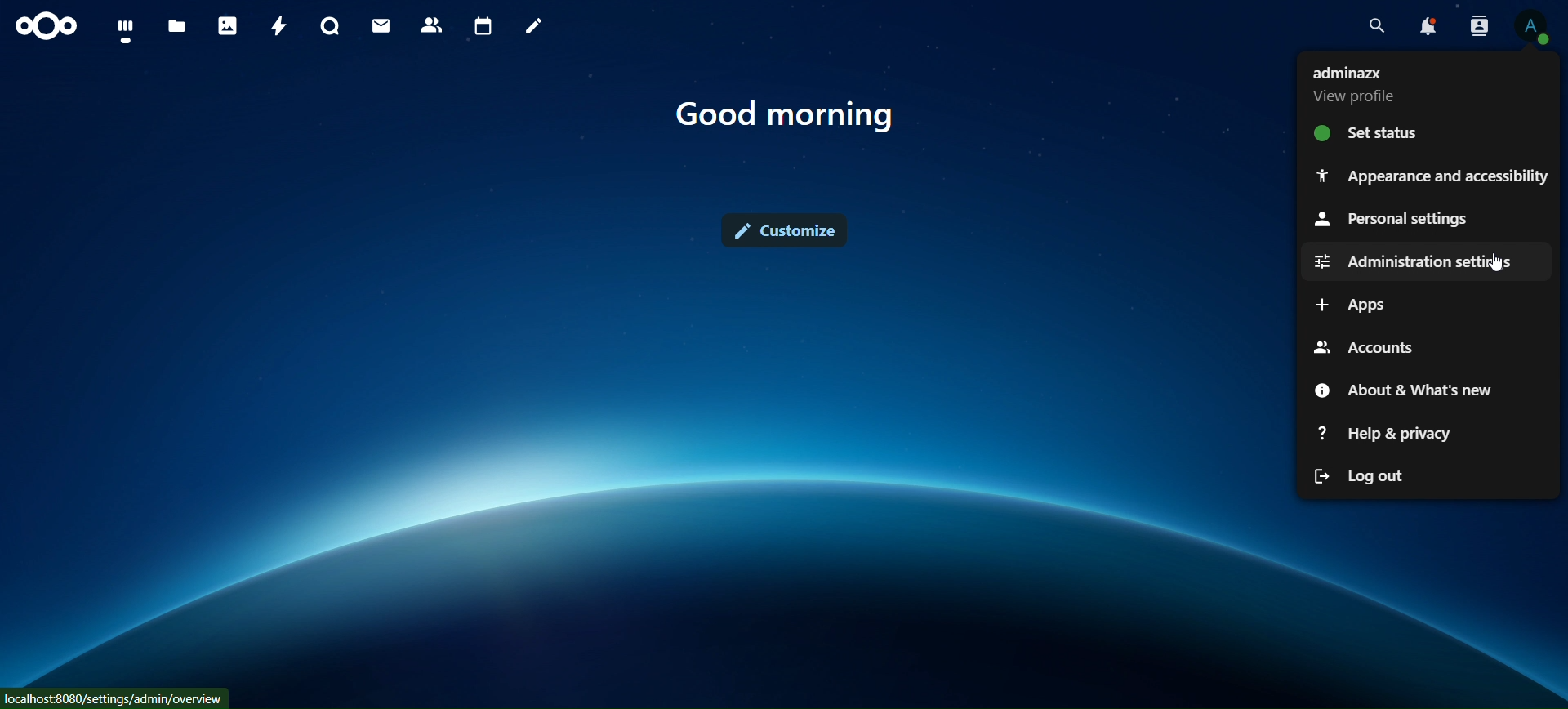 Image resolution: width=1568 pixels, height=709 pixels. Describe the element at coordinates (1494, 262) in the screenshot. I see `cursor` at that location.